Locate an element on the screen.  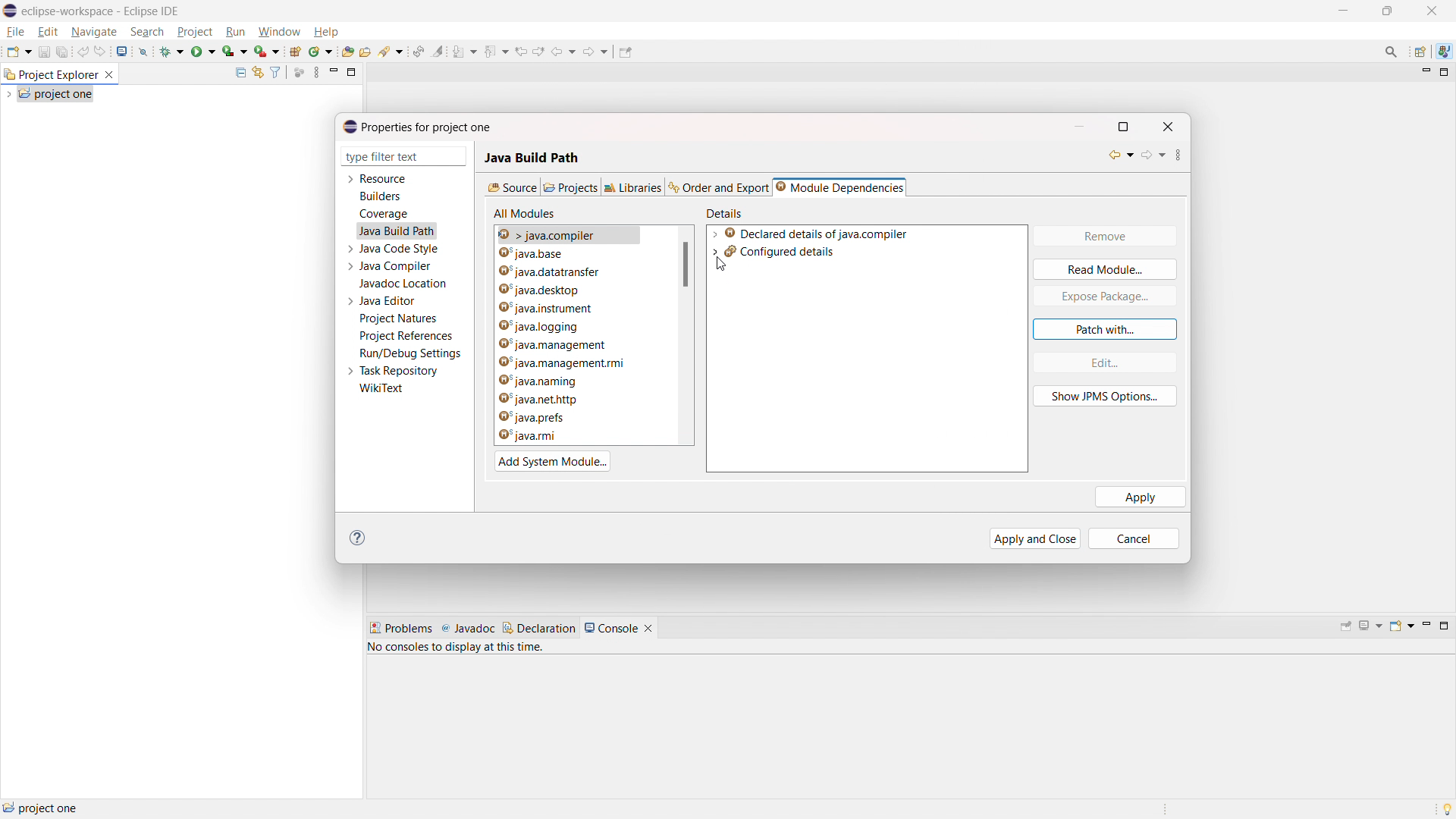
minimize is located at coordinates (1388, 11).